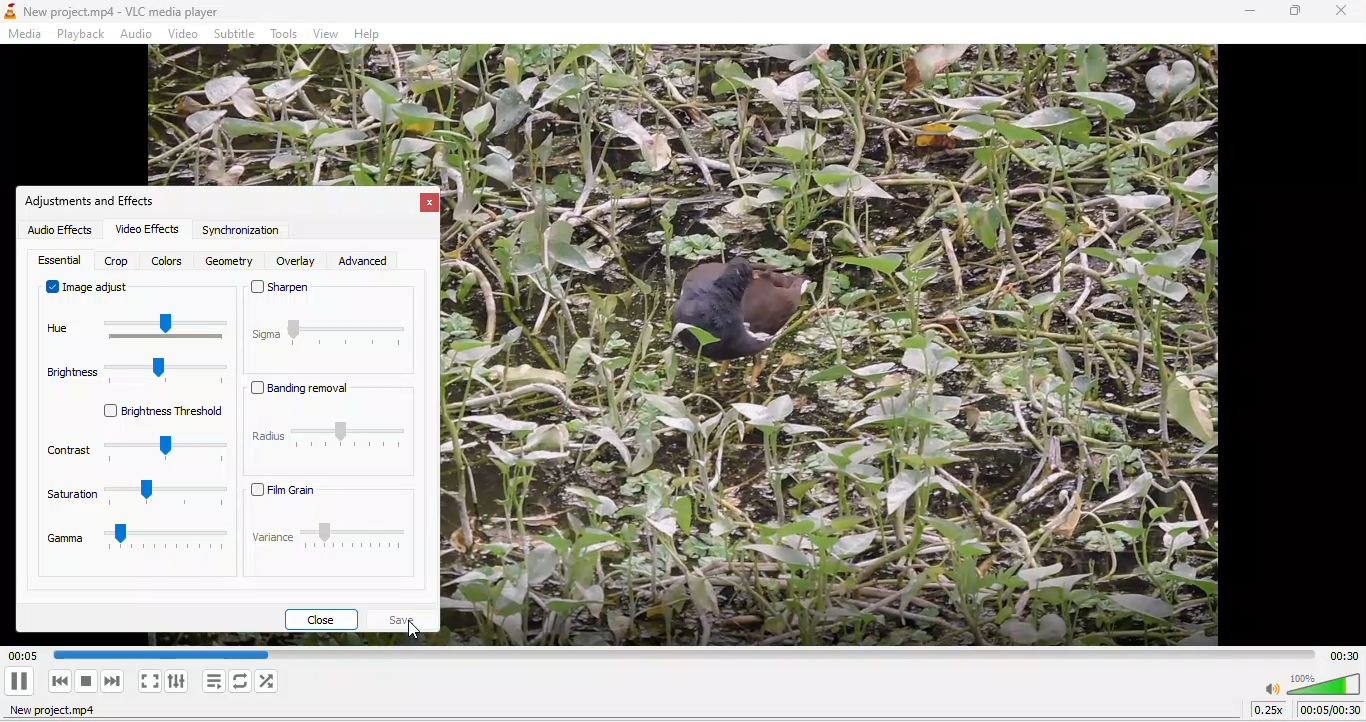  Describe the element at coordinates (403, 619) in the screenshot. I see `select save` at that location.